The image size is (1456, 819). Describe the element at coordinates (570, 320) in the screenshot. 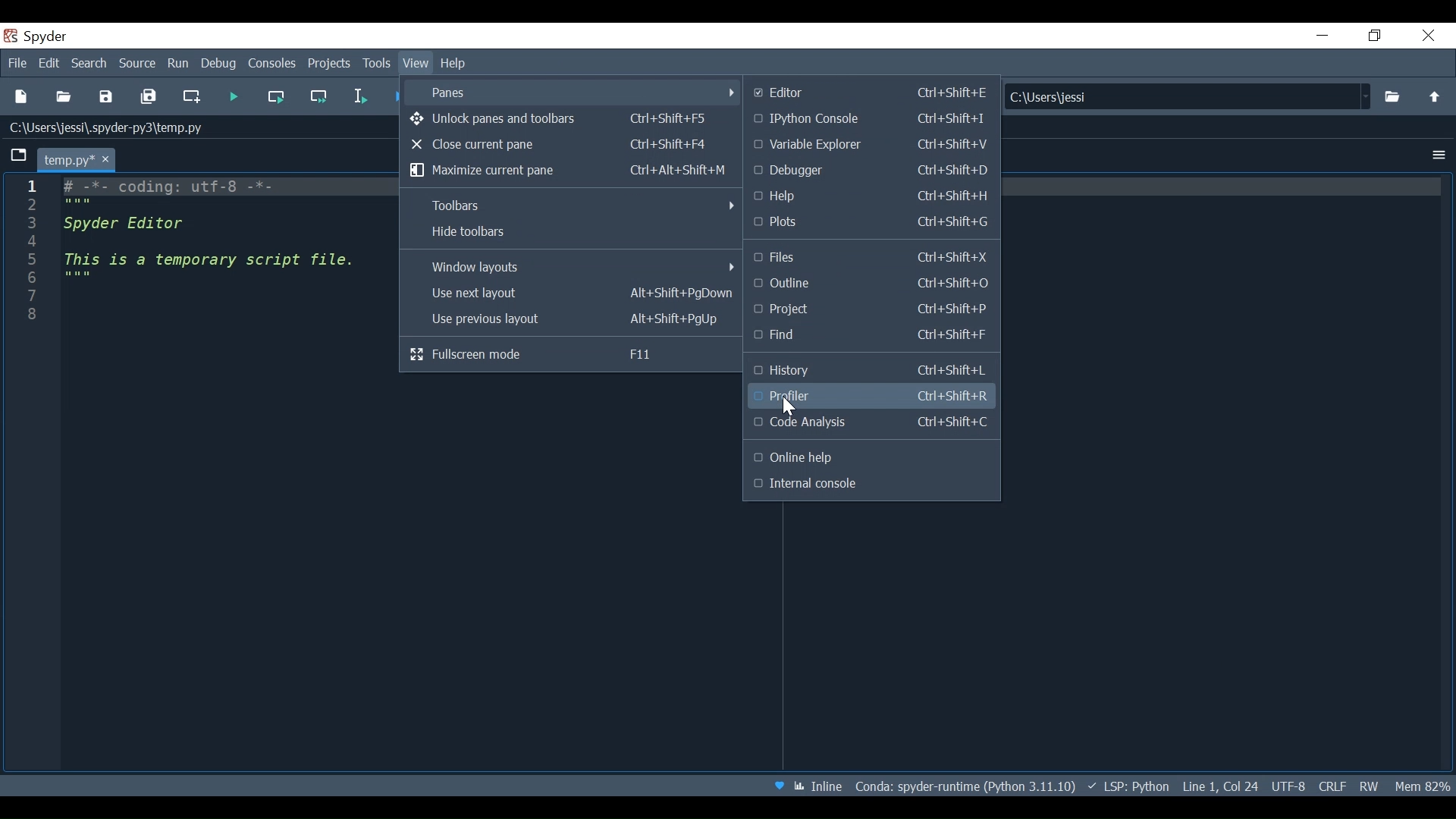

I see `Use previous layout` at that location.